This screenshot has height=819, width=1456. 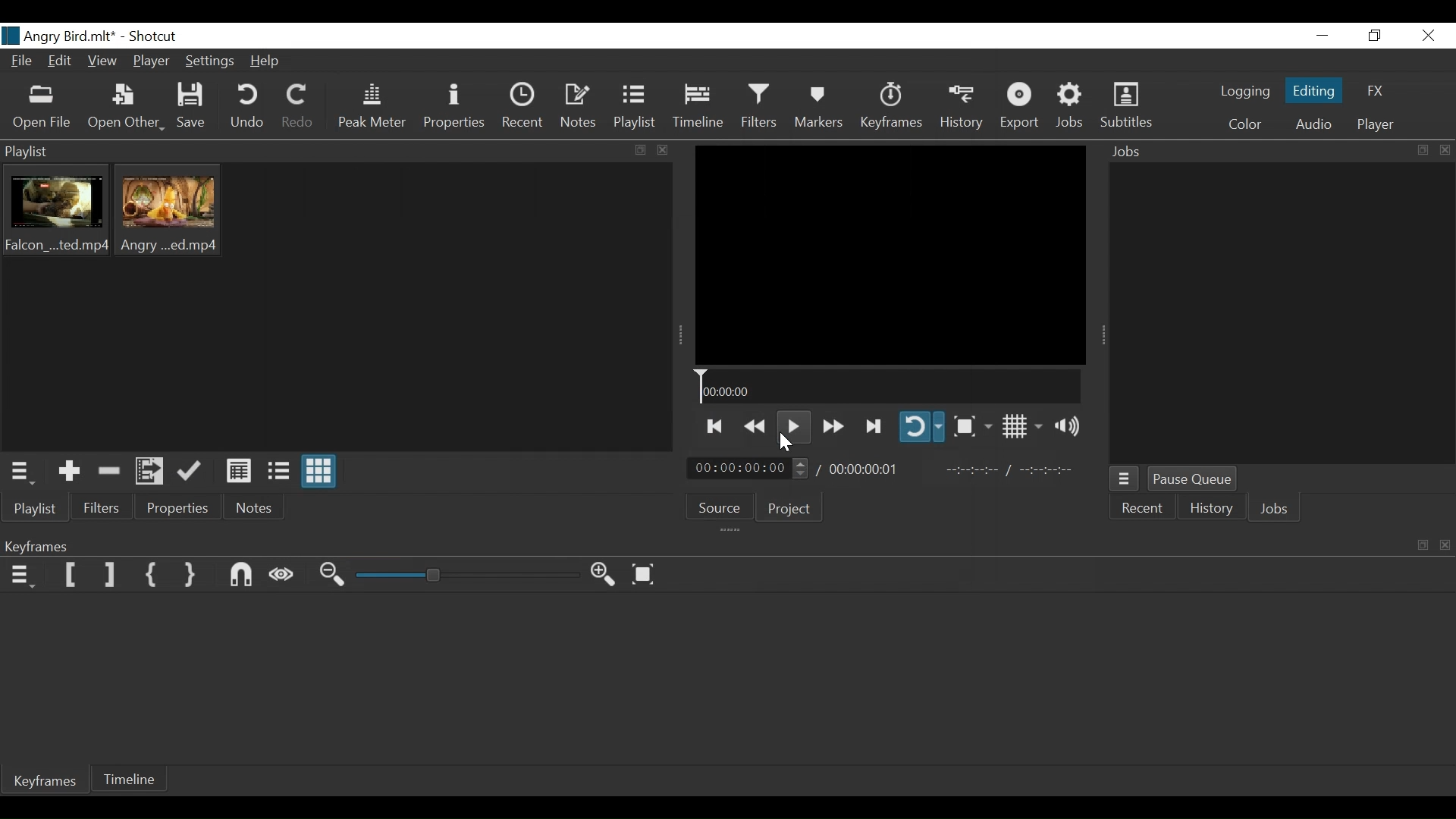 What do you see at coordinates (1316, 124) in the screenshot?
I see `Audio` at bounding box center [1316, 124].